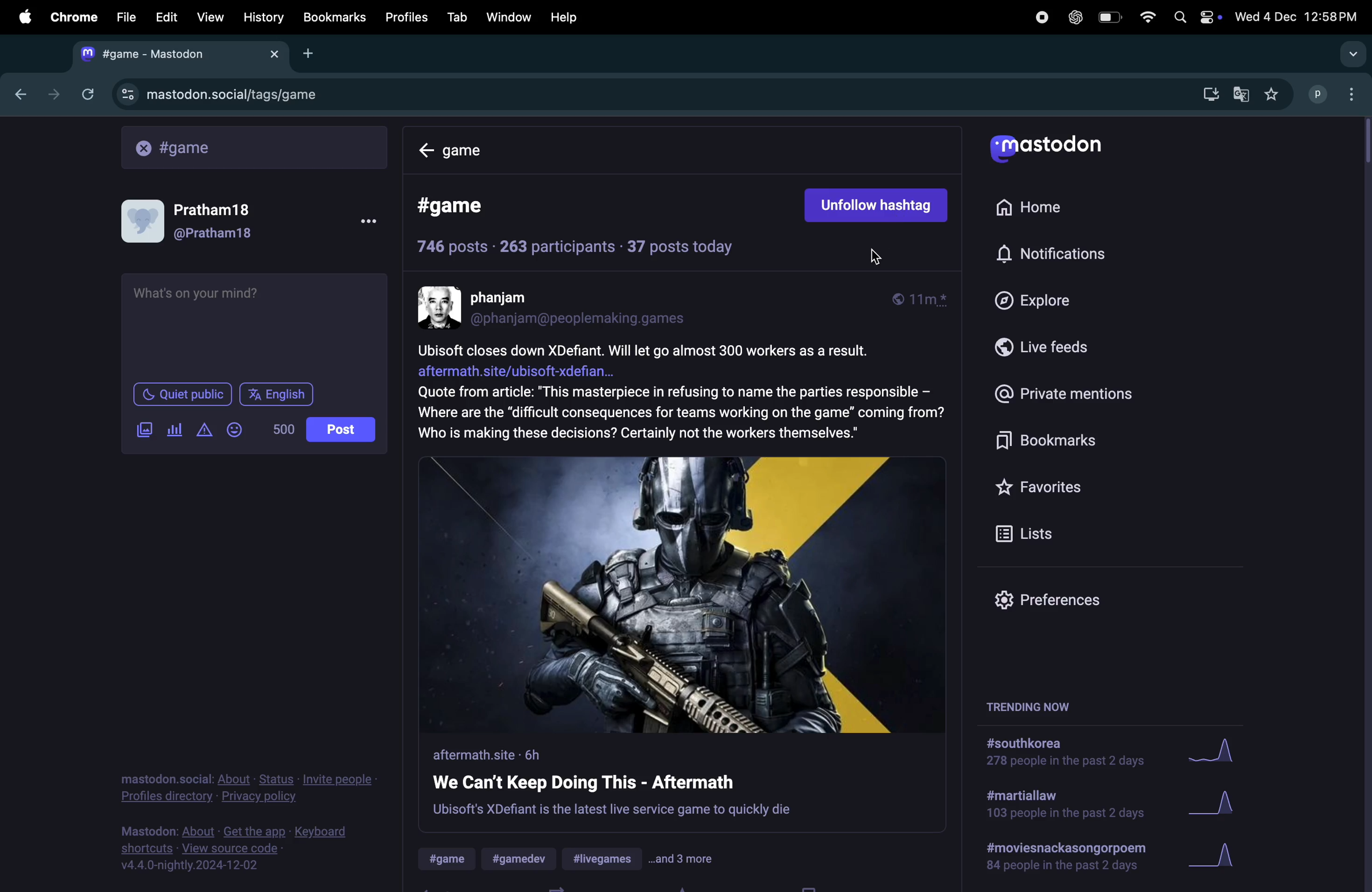  Describe the element at coordinates (175, 430) in the screenshot. I see `add poll` at that location.